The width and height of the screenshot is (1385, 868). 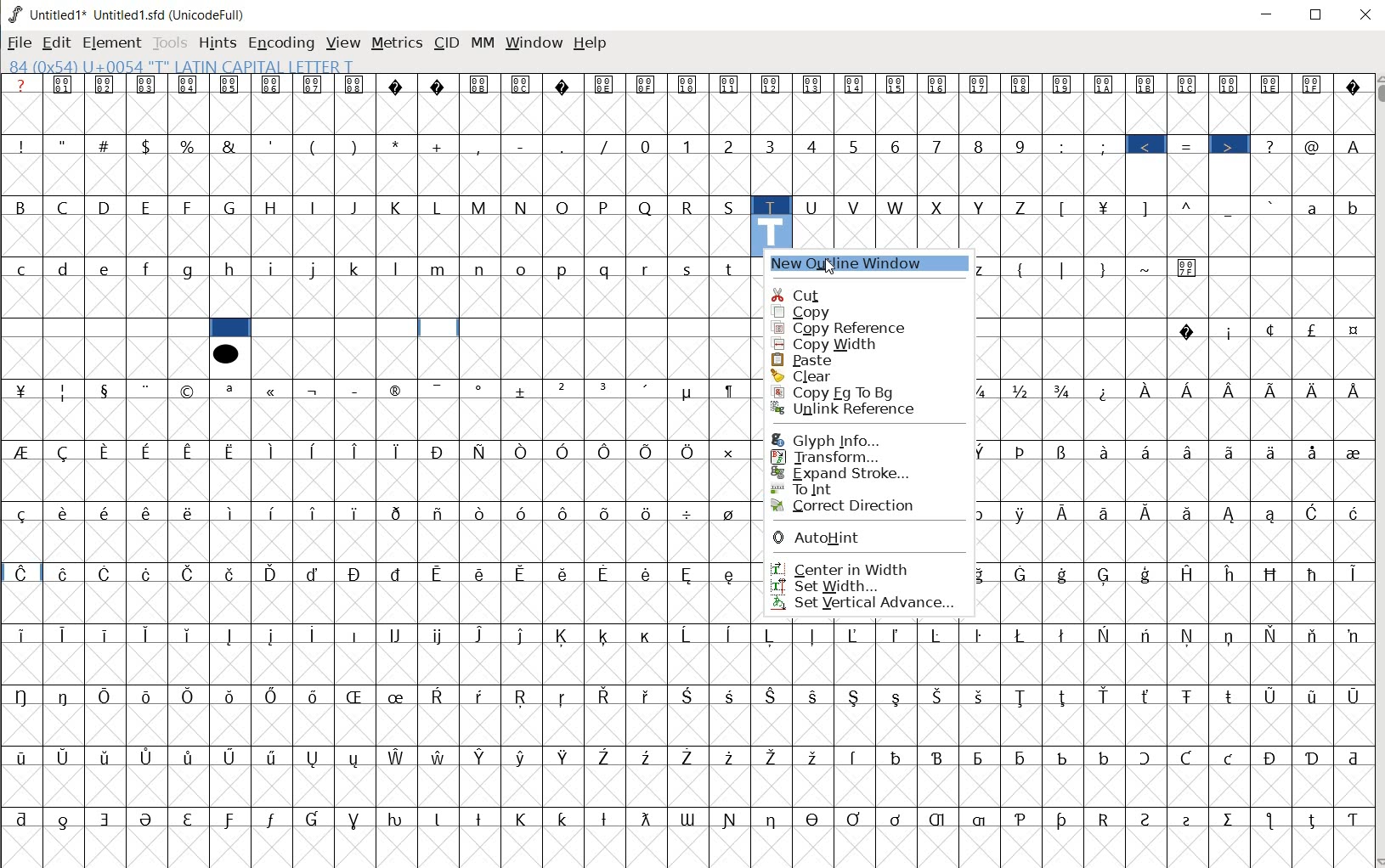 What do you see at coordinates (813, 206) in the screenshot?
I see `U` at bounding box center [813, 206].